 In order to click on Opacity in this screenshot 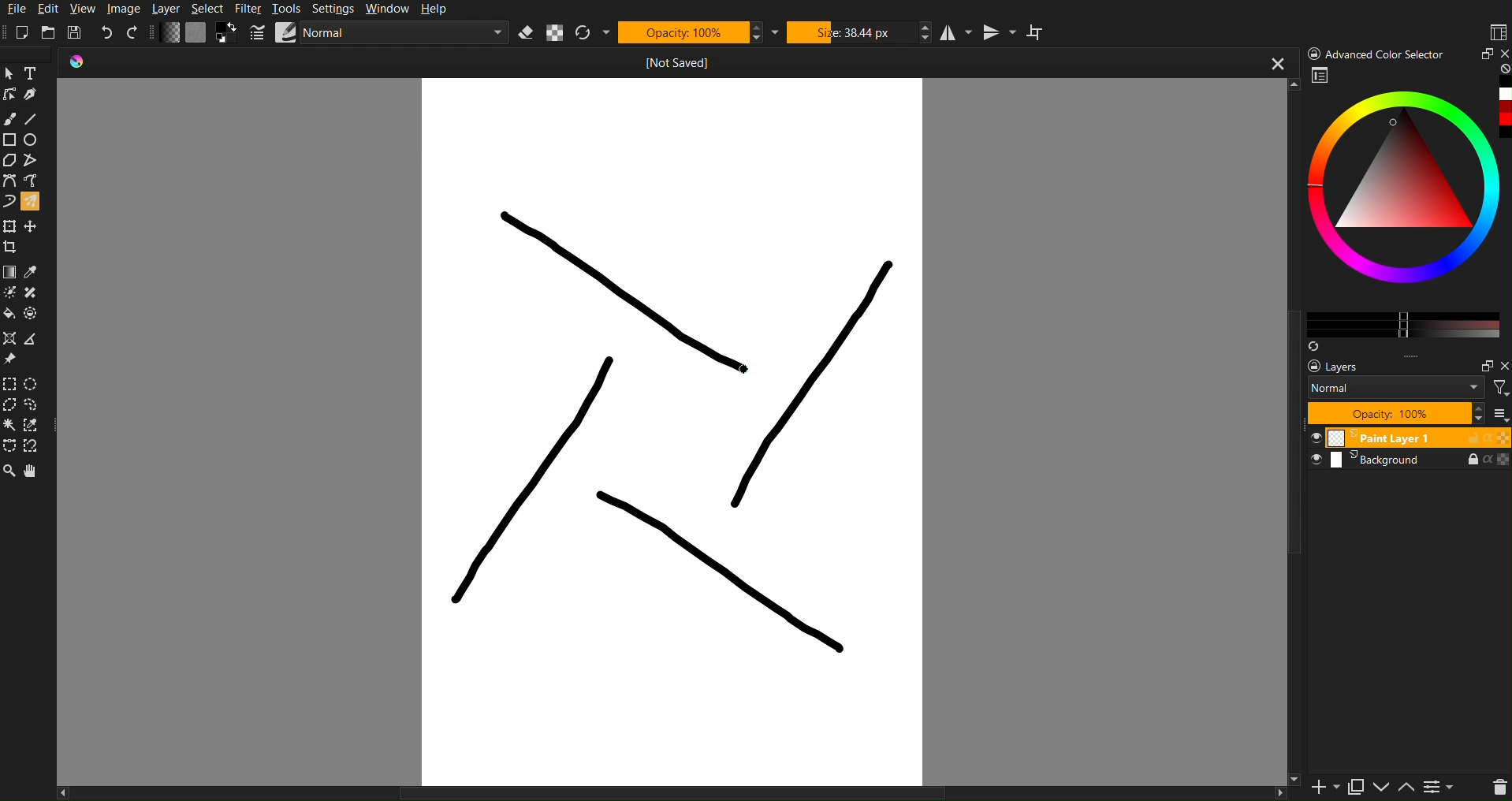, I will do `click(690, 32)`.